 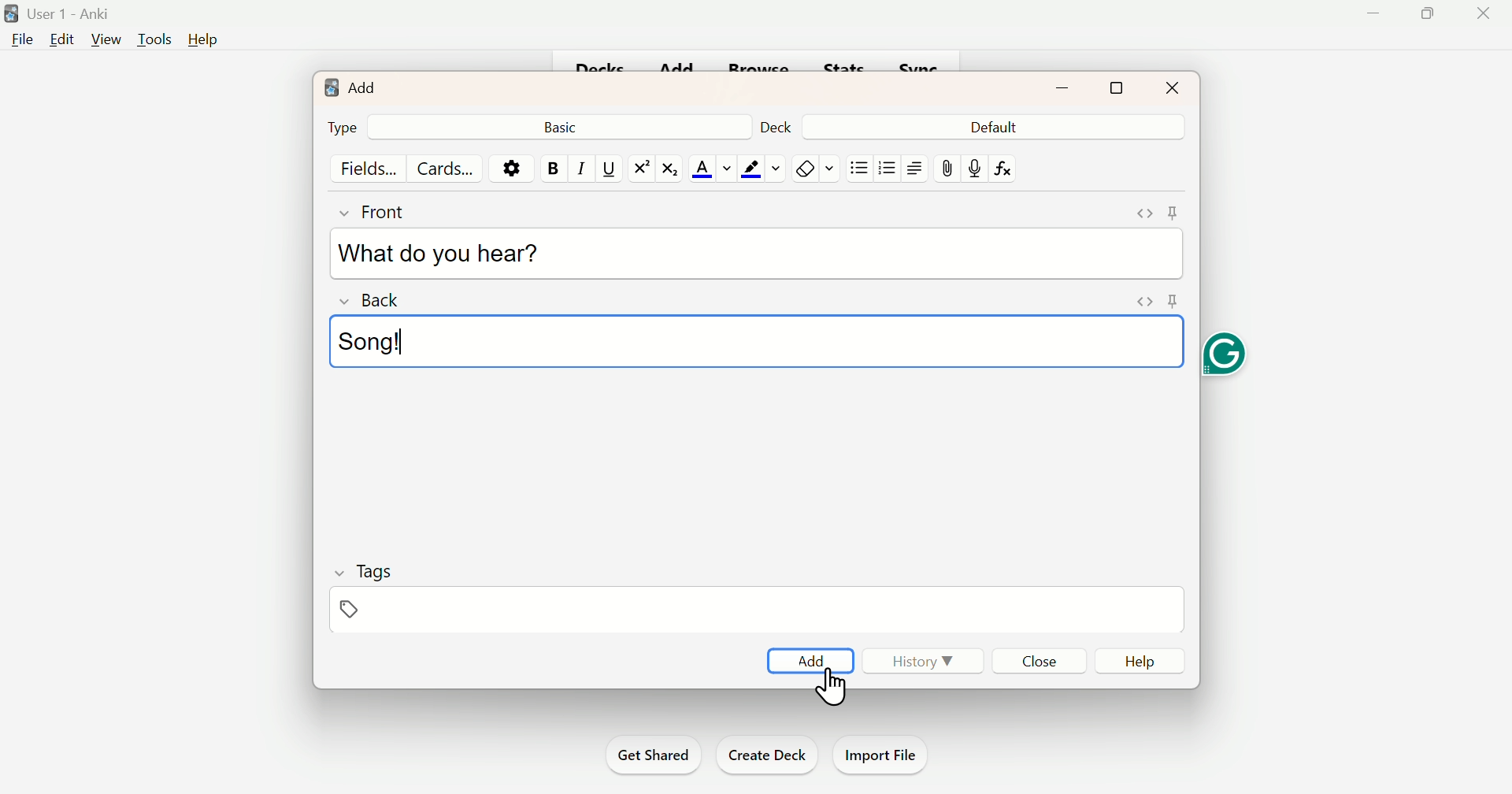 What do you see at coordinates (1172, 301) in the screenshot?
I see `pin` at bounding box center [1172, 301].